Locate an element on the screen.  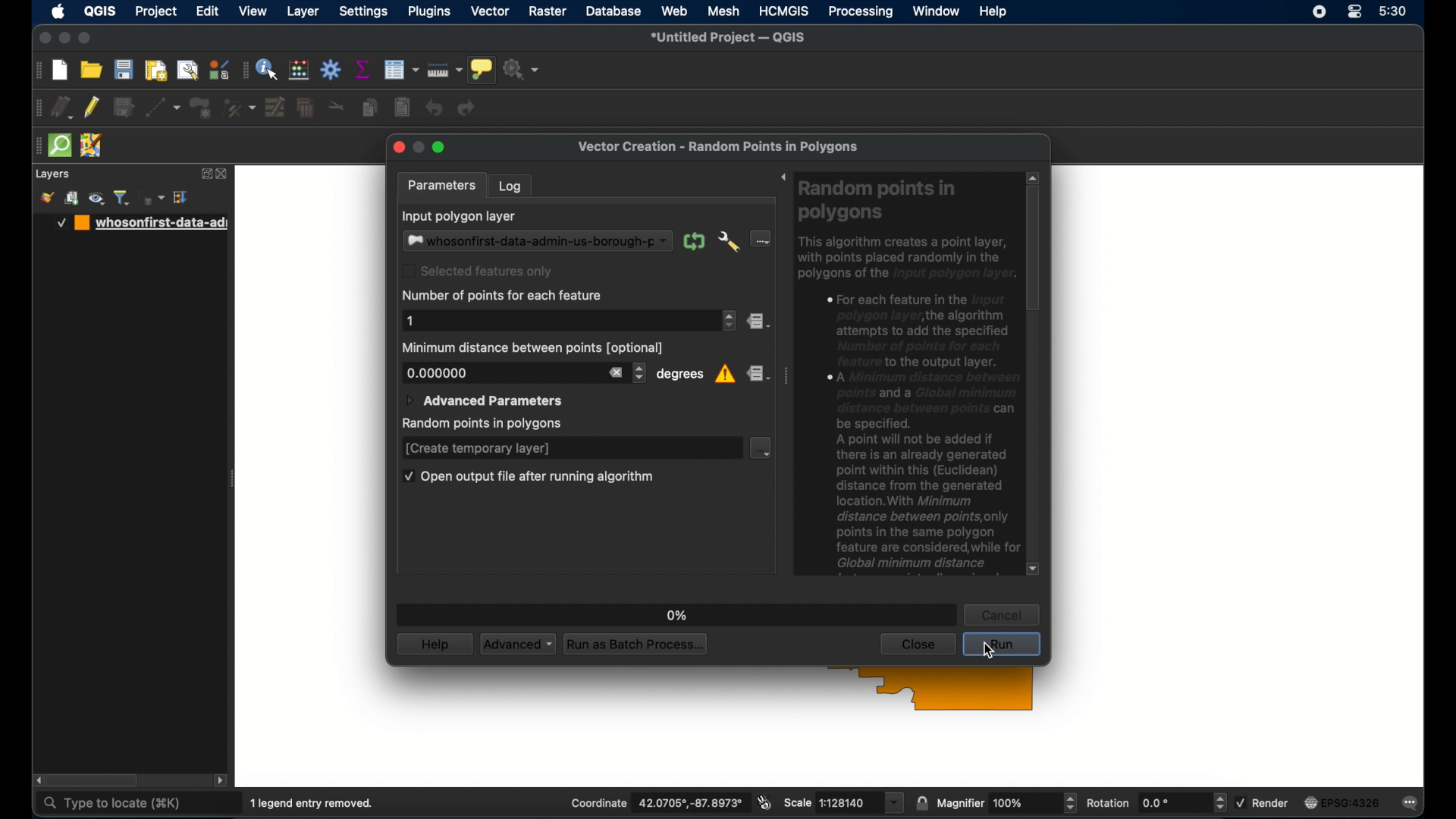
add input is located at coordinates (764, 239).